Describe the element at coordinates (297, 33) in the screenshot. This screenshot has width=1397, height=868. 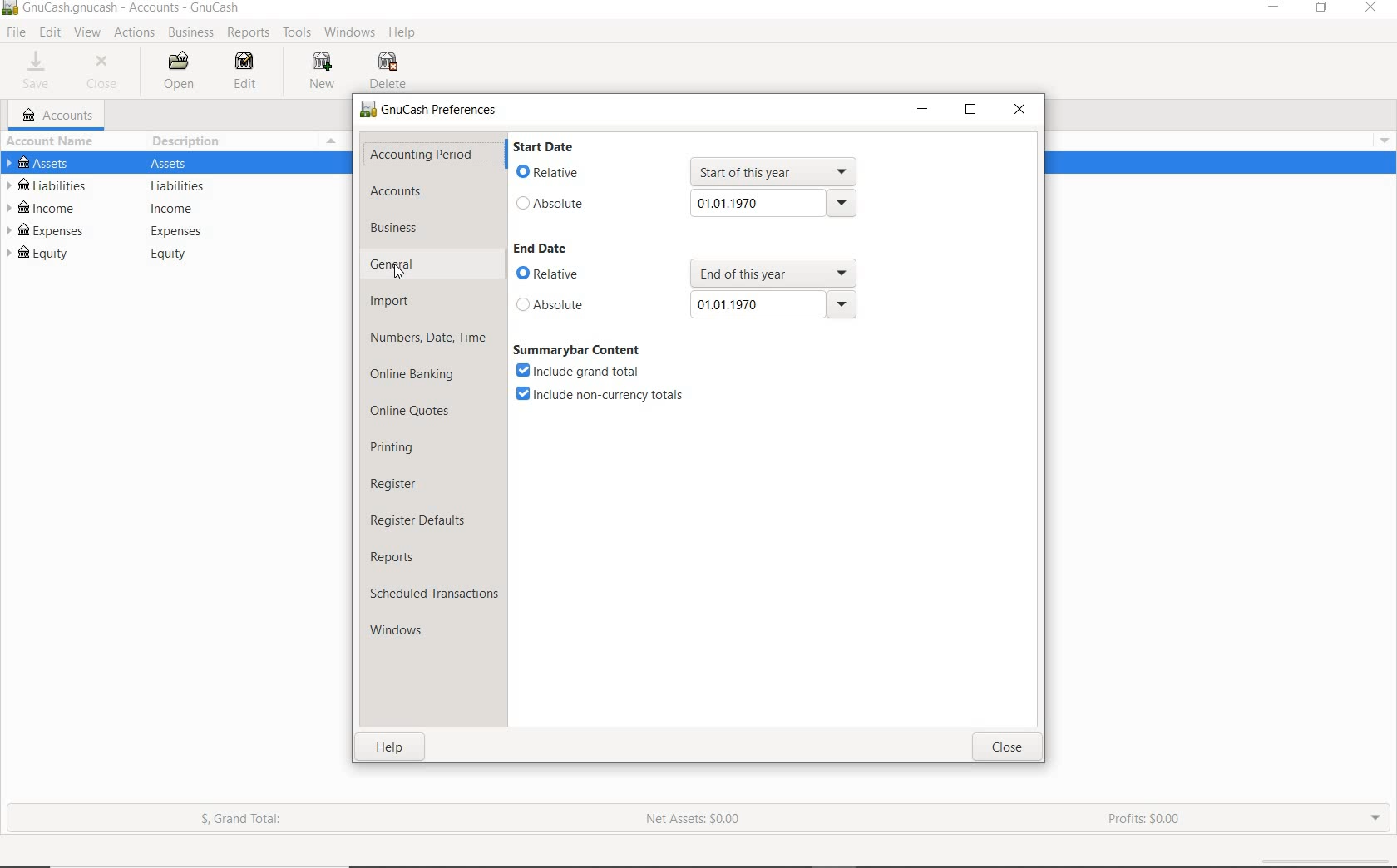
I see `TOOLS` at that location.